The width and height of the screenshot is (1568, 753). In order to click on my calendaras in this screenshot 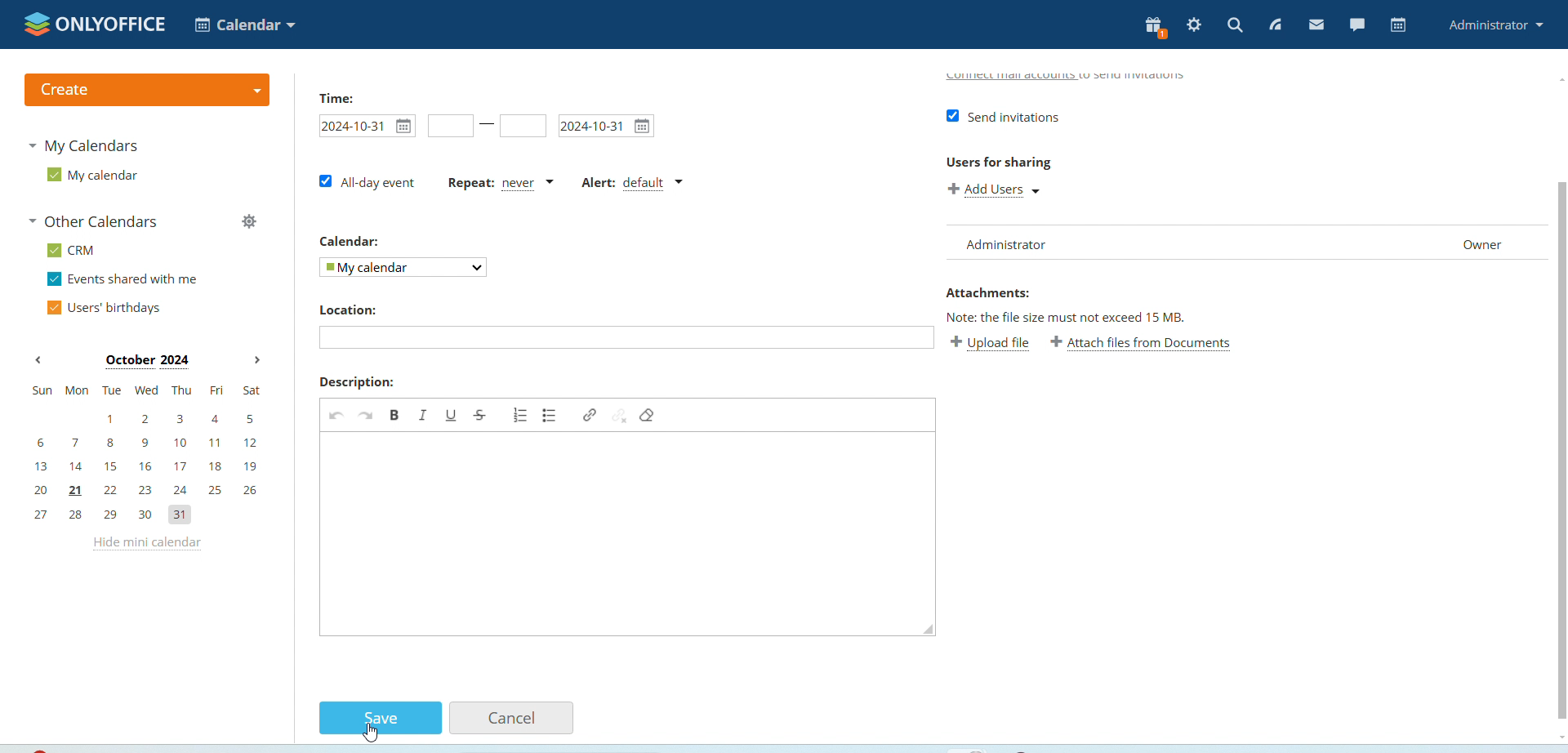, I will do `click(83, 146)`.